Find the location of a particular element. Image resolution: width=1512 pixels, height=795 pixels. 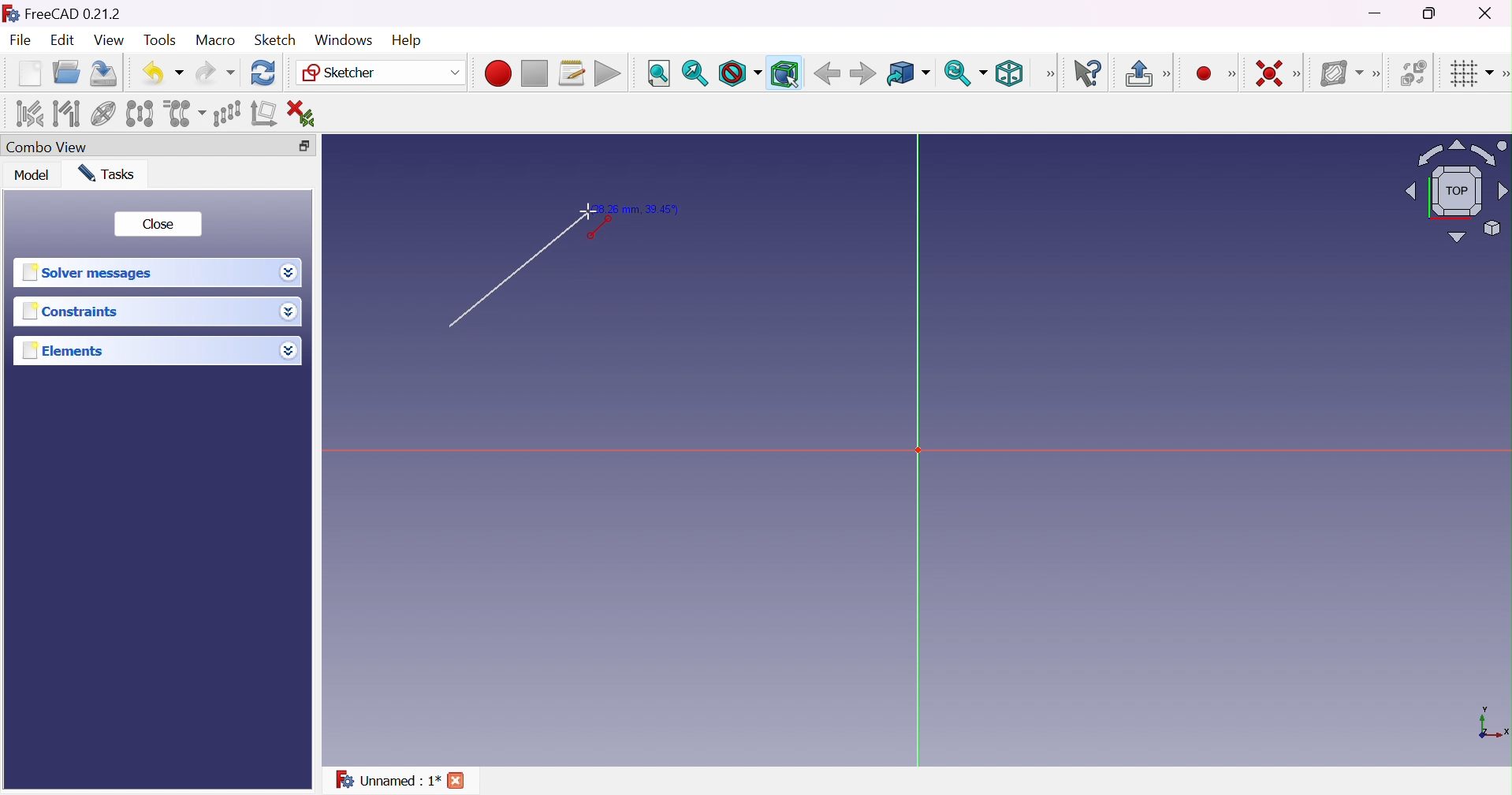

Drop down is located at coordinates (289, 273).